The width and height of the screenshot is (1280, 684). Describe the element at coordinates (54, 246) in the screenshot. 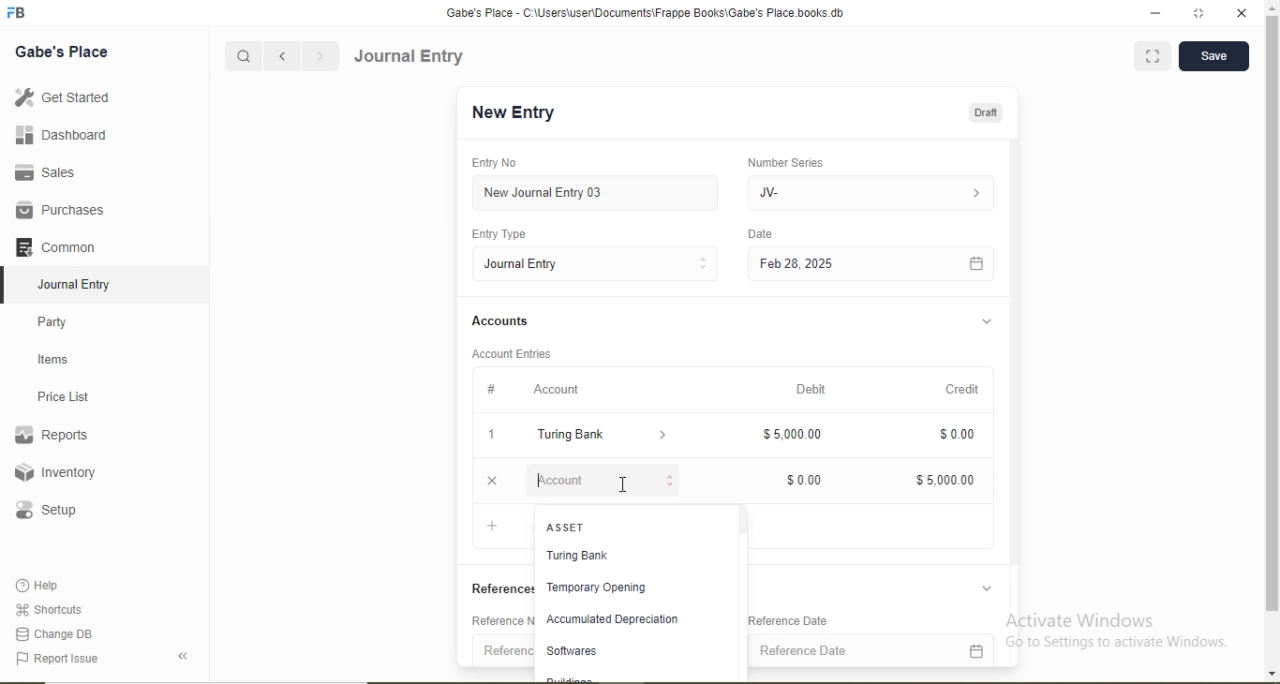

I see `Common` at that location.